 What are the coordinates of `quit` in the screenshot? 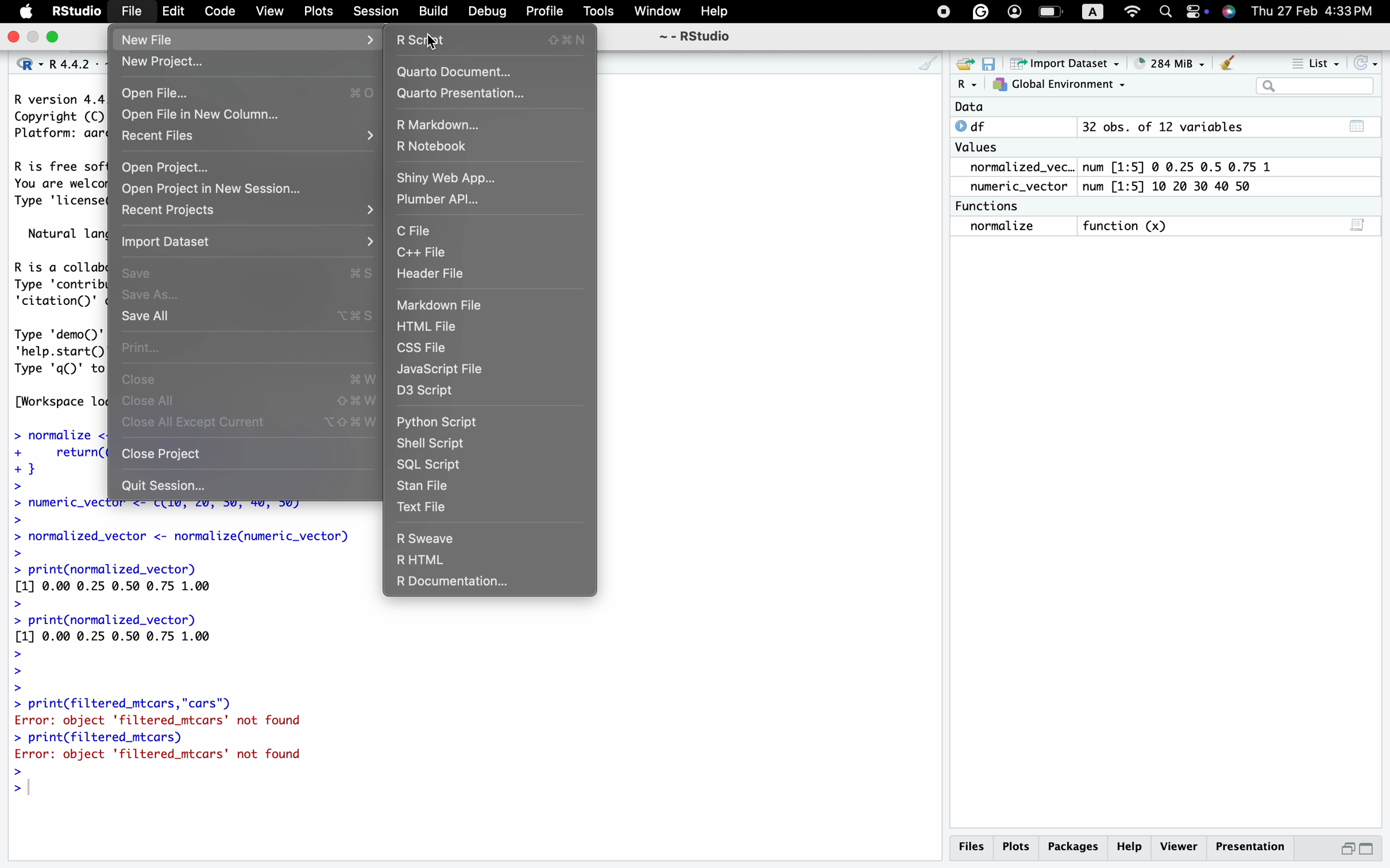 It's located at (15, 39).